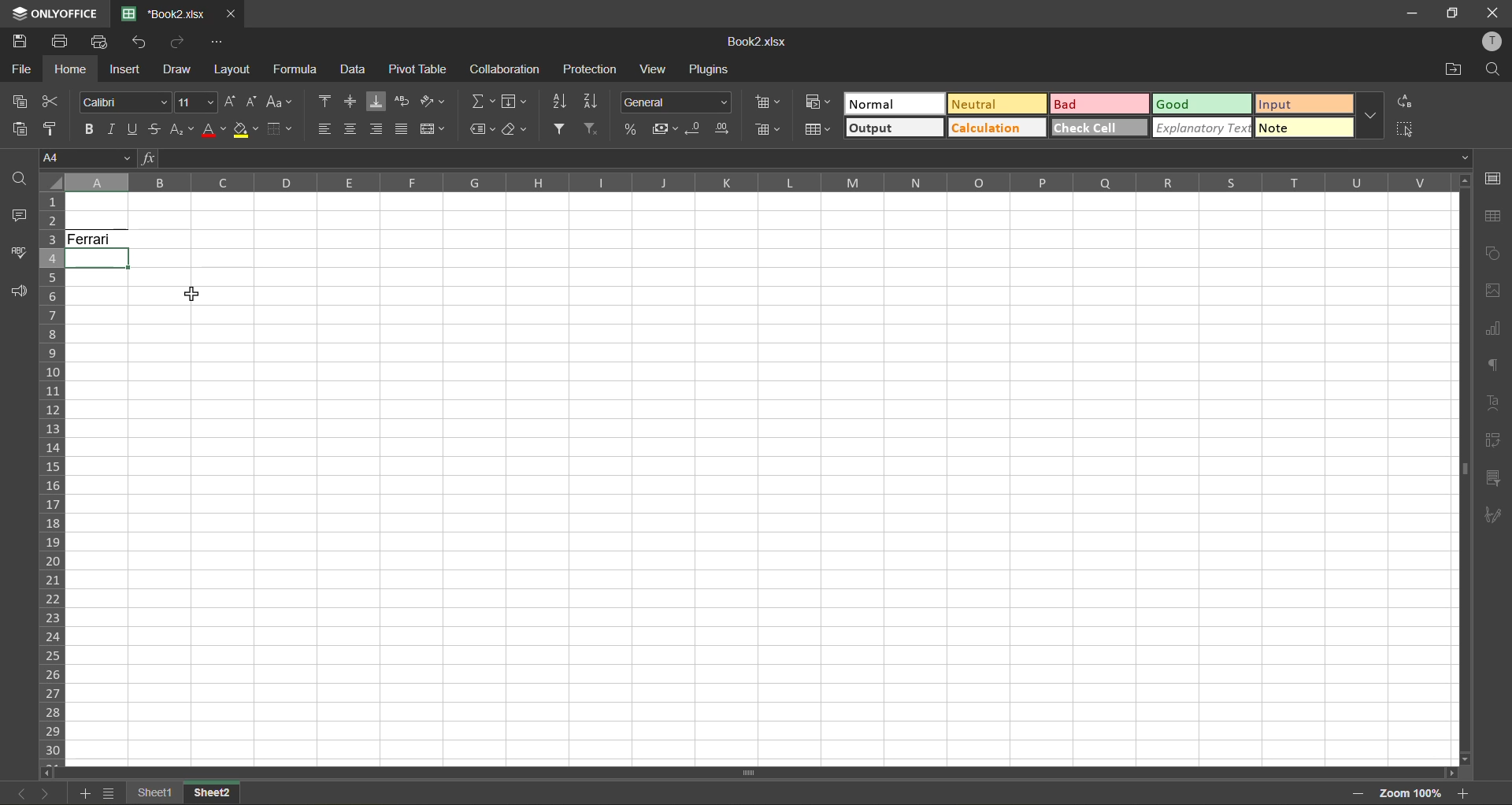 This screenshot has width=1512, height=805. I want to click on customize quick access toolbar, so click(218, 42).